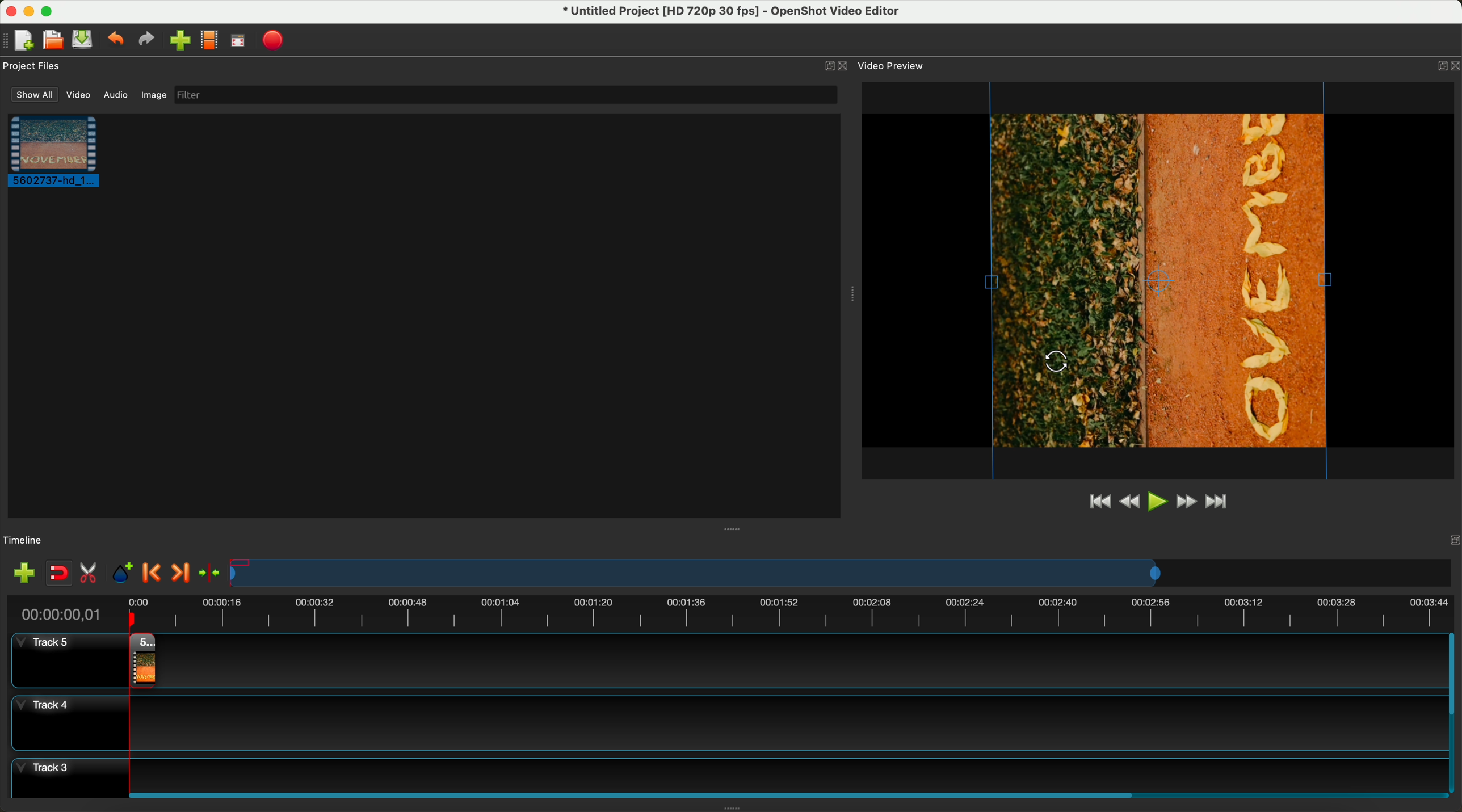  What do you see at coordinates (851, 292) in the screenshot?
I see `` at bounding box center [851, 292].